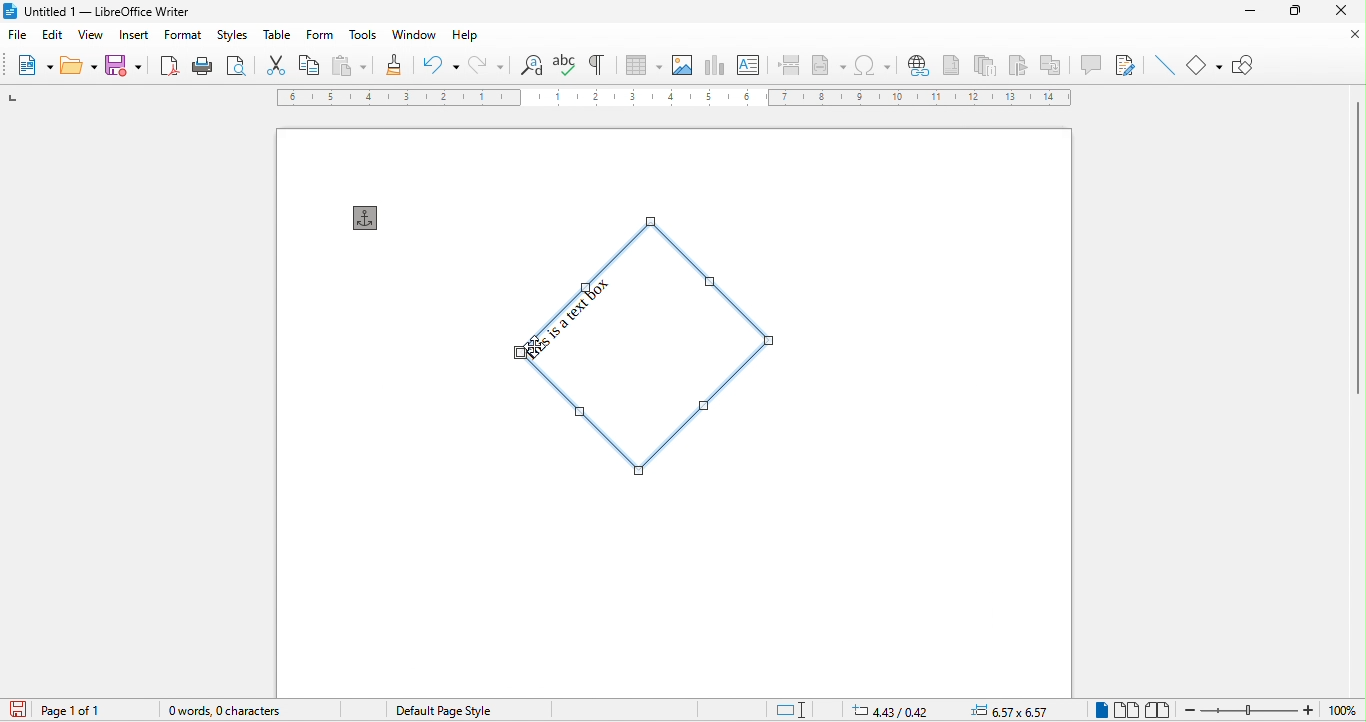 This screenshot has height=722, width=1366. What do you see at coordinates (787, 63) in the screenshot?
I see `page break` at bounding box center [787, 63].